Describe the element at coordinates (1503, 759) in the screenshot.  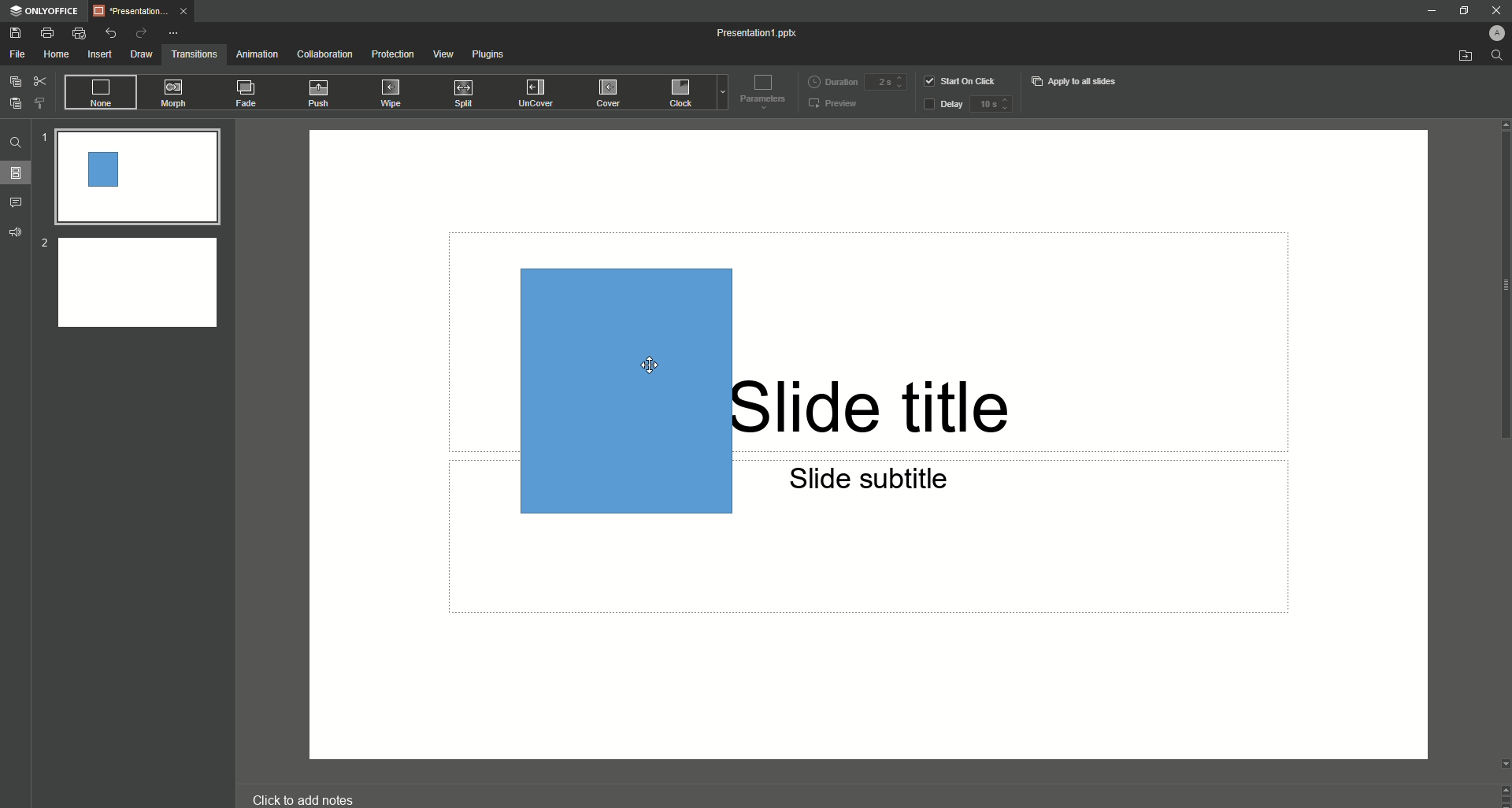
I see `move down` at that location.